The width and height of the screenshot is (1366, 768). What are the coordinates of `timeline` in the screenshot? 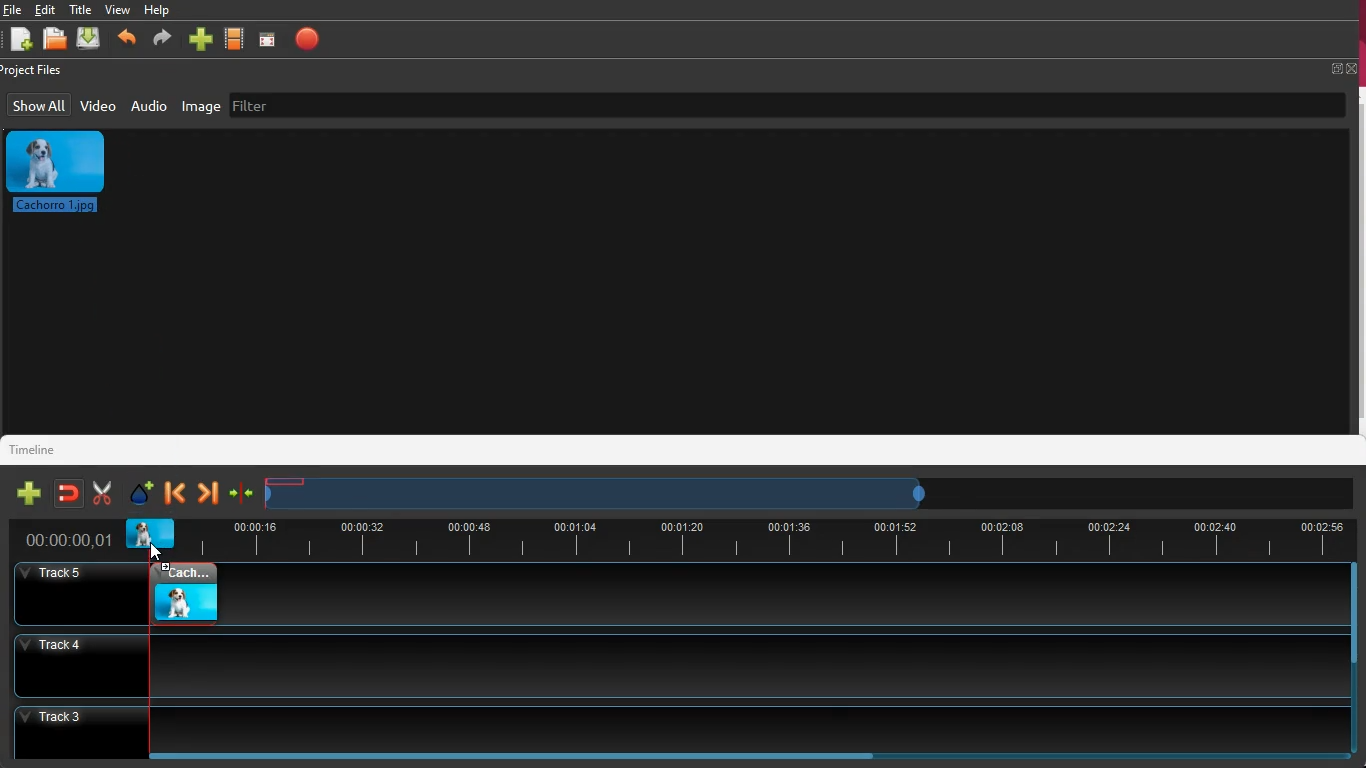 It's located at (38, 451).